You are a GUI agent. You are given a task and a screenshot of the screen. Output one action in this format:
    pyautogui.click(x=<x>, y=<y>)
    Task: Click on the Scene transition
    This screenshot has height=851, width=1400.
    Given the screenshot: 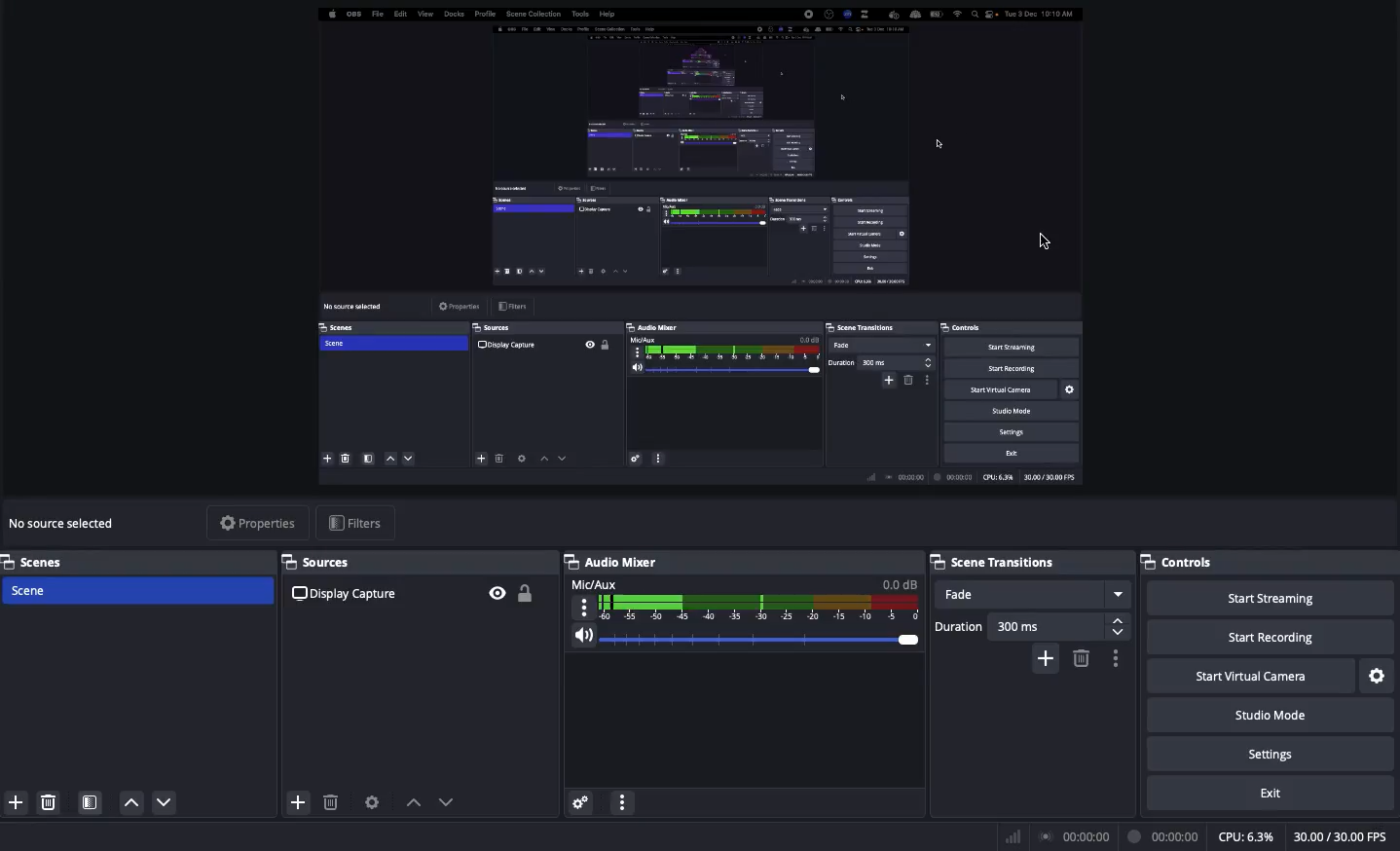 What is the action you would take?
    pyautogui.click(x=996, y=562)
    